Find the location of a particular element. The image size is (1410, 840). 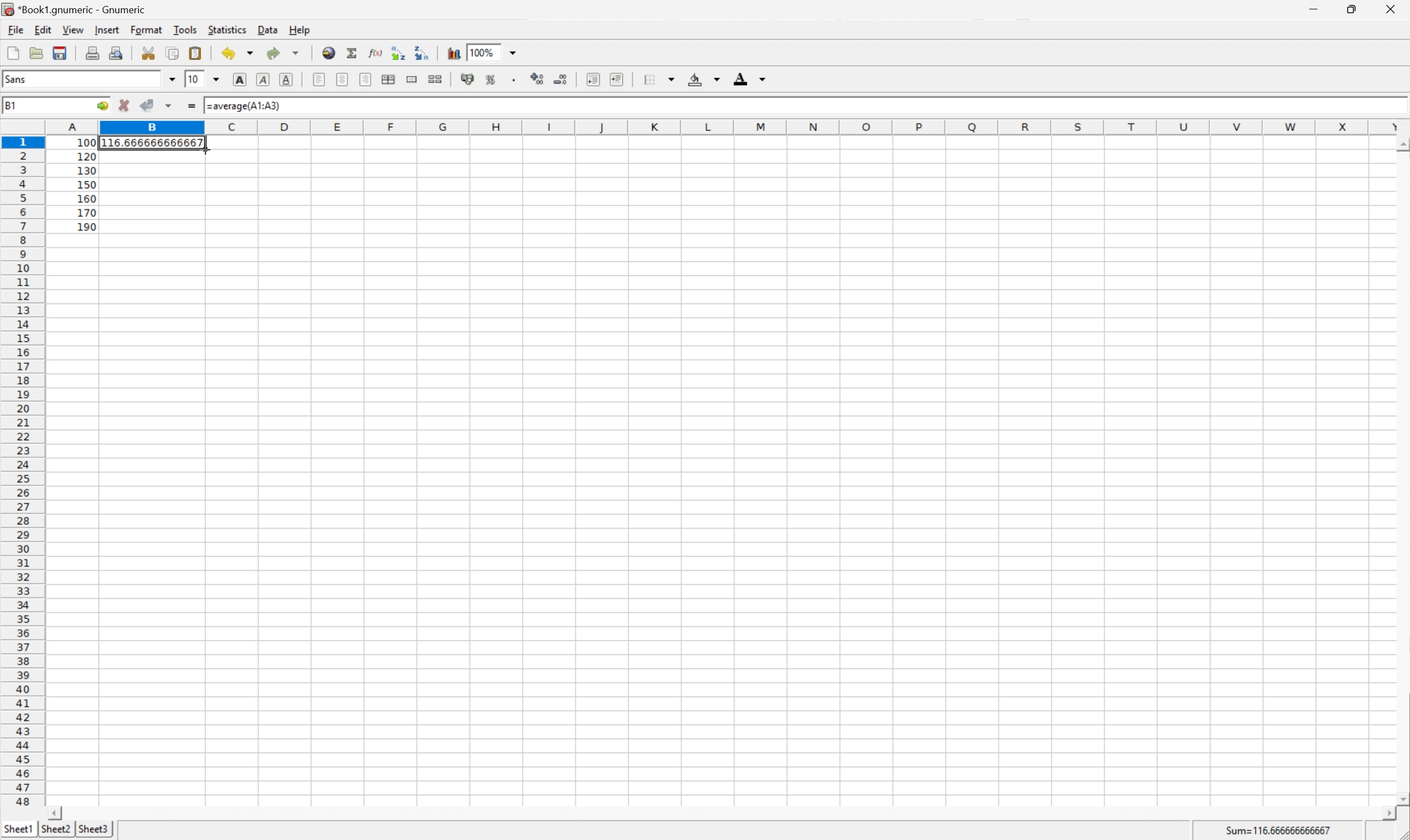

Go to is located at coordinates (103, 106).